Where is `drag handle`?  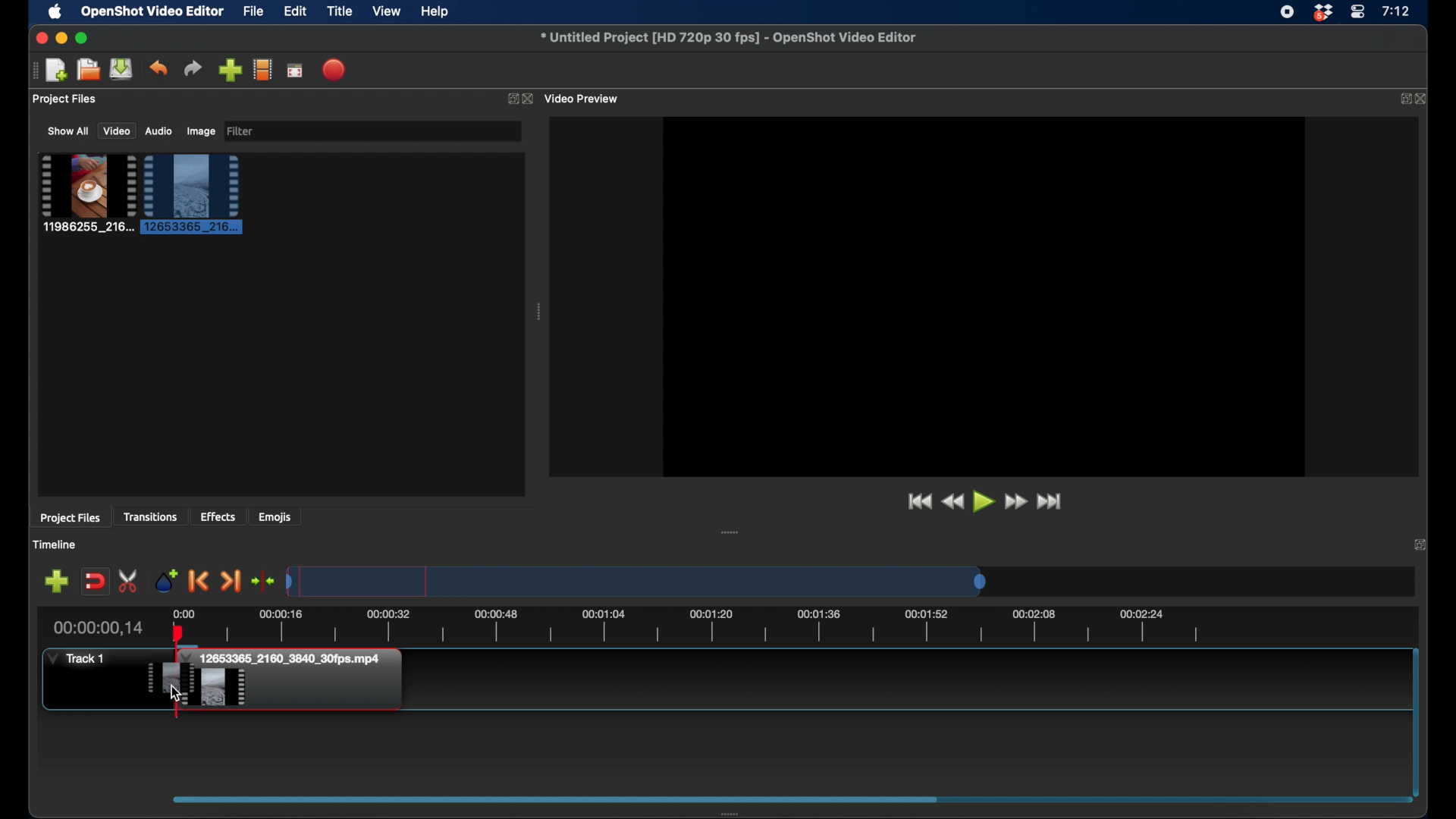 drag handle is located at coordinates (30, 71).